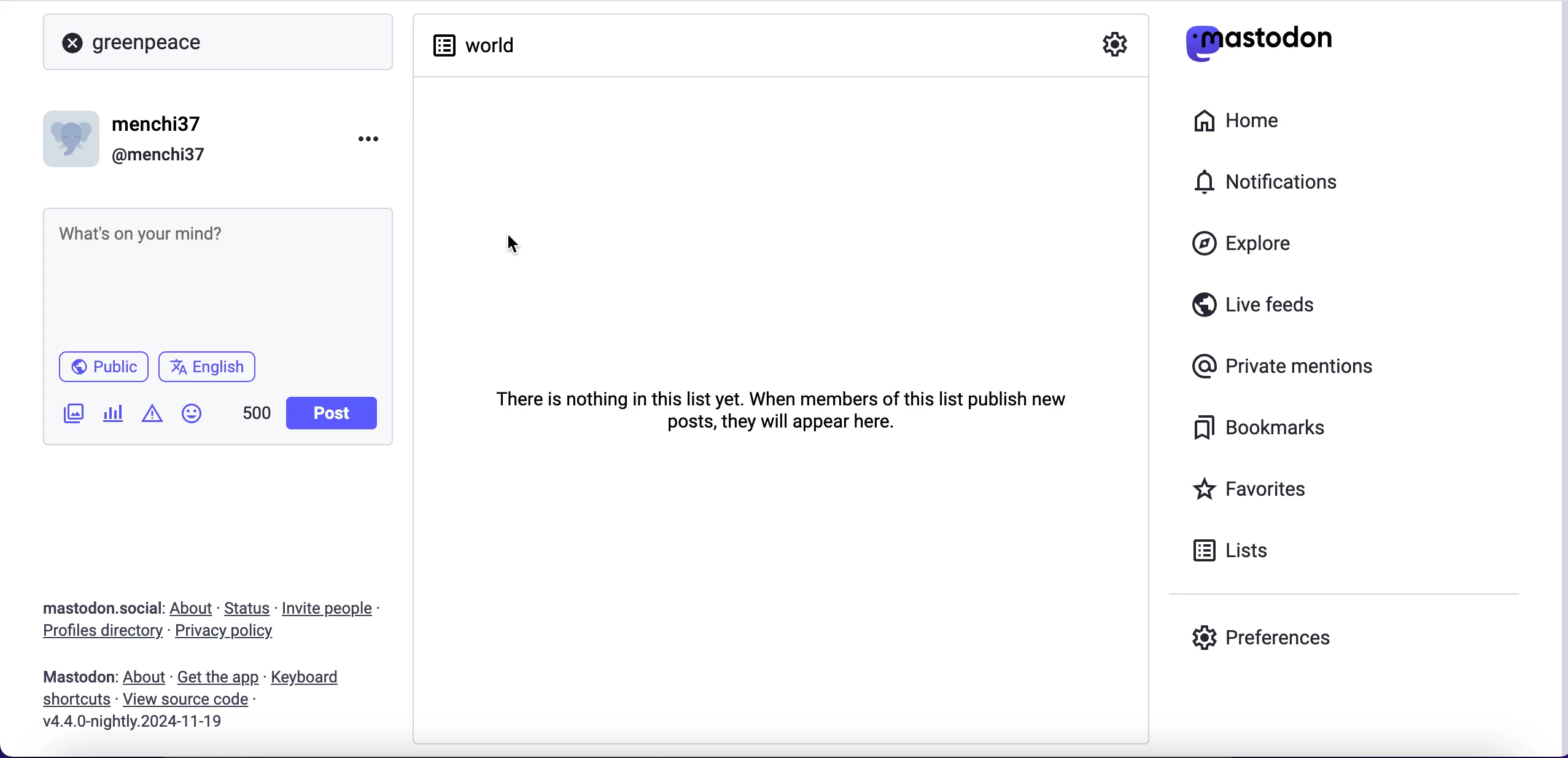 The image size is (1568, 758). What do you see at coordinates (72, 44) in the screenshot?
I see `close` at bounding box center [72, 44].